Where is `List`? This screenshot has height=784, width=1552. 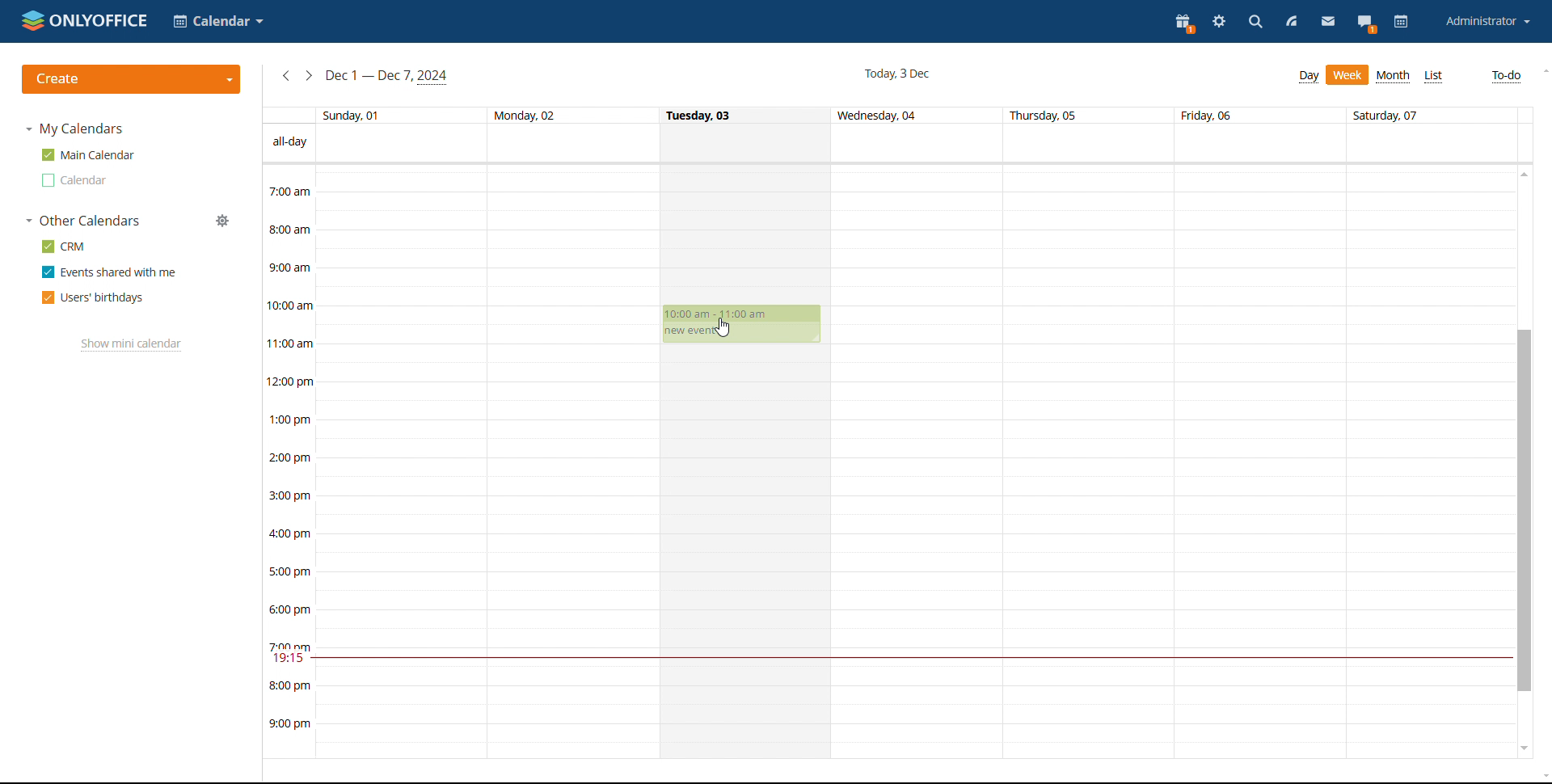
List is located at coordinates (1435, 77).